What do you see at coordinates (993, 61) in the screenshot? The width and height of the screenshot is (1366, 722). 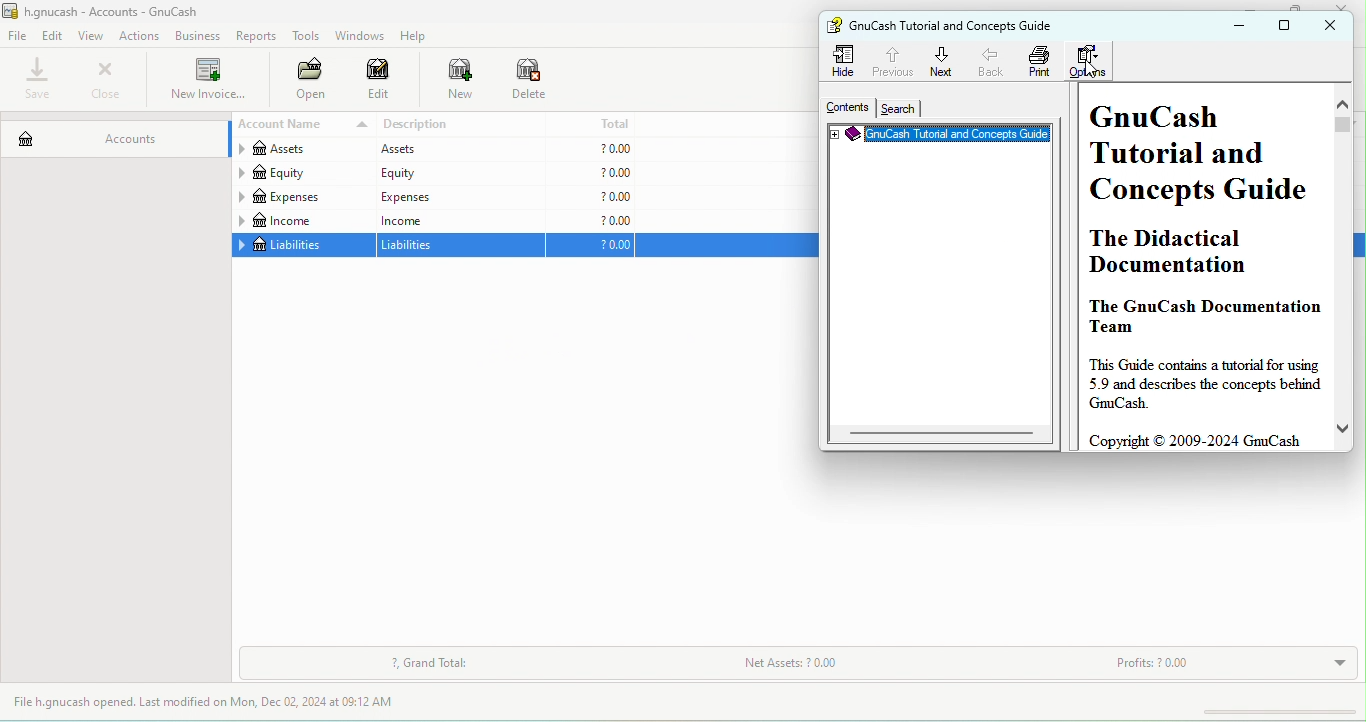 I see `back` at bounding box center [993, 61].